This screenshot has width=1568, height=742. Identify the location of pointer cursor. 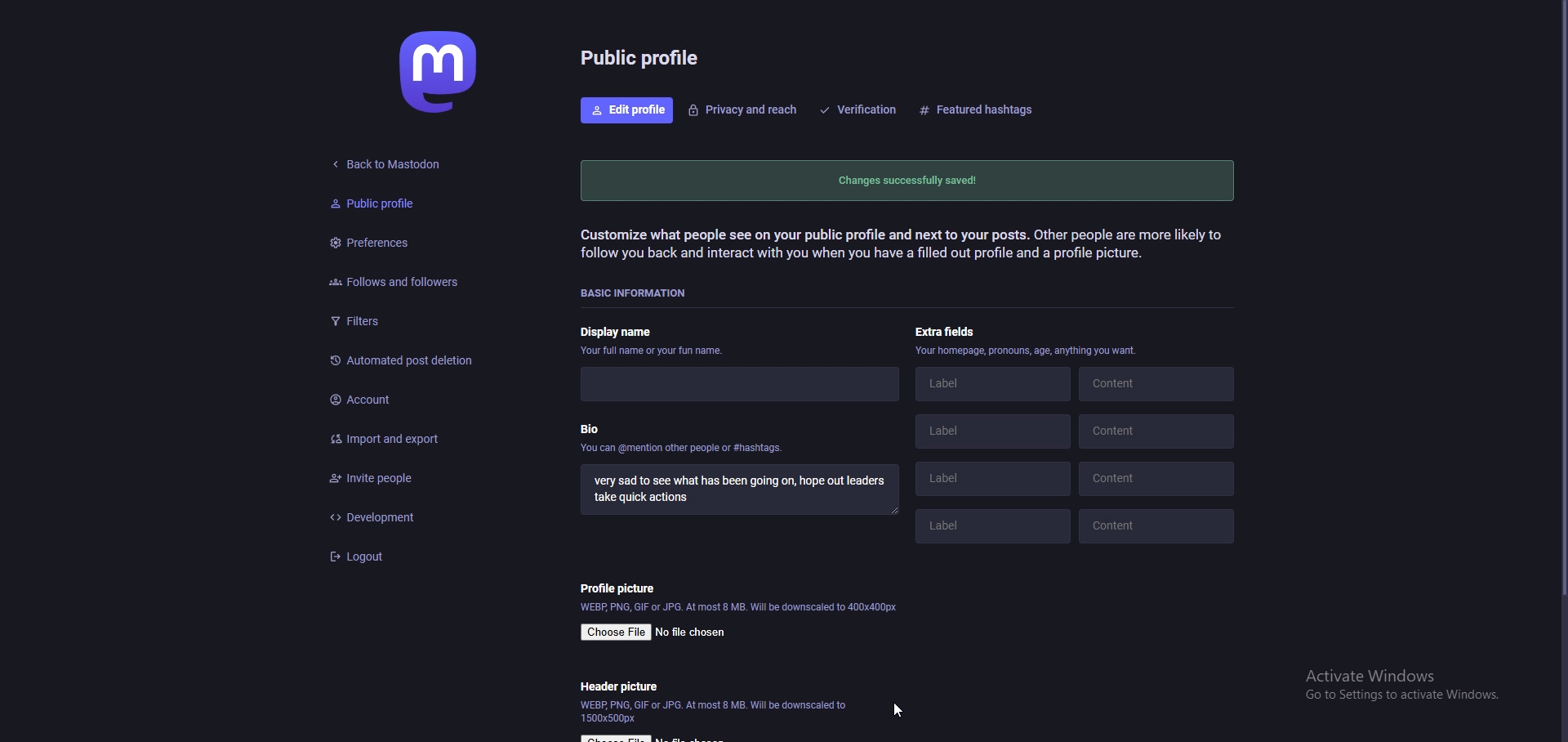
(1558, 324).